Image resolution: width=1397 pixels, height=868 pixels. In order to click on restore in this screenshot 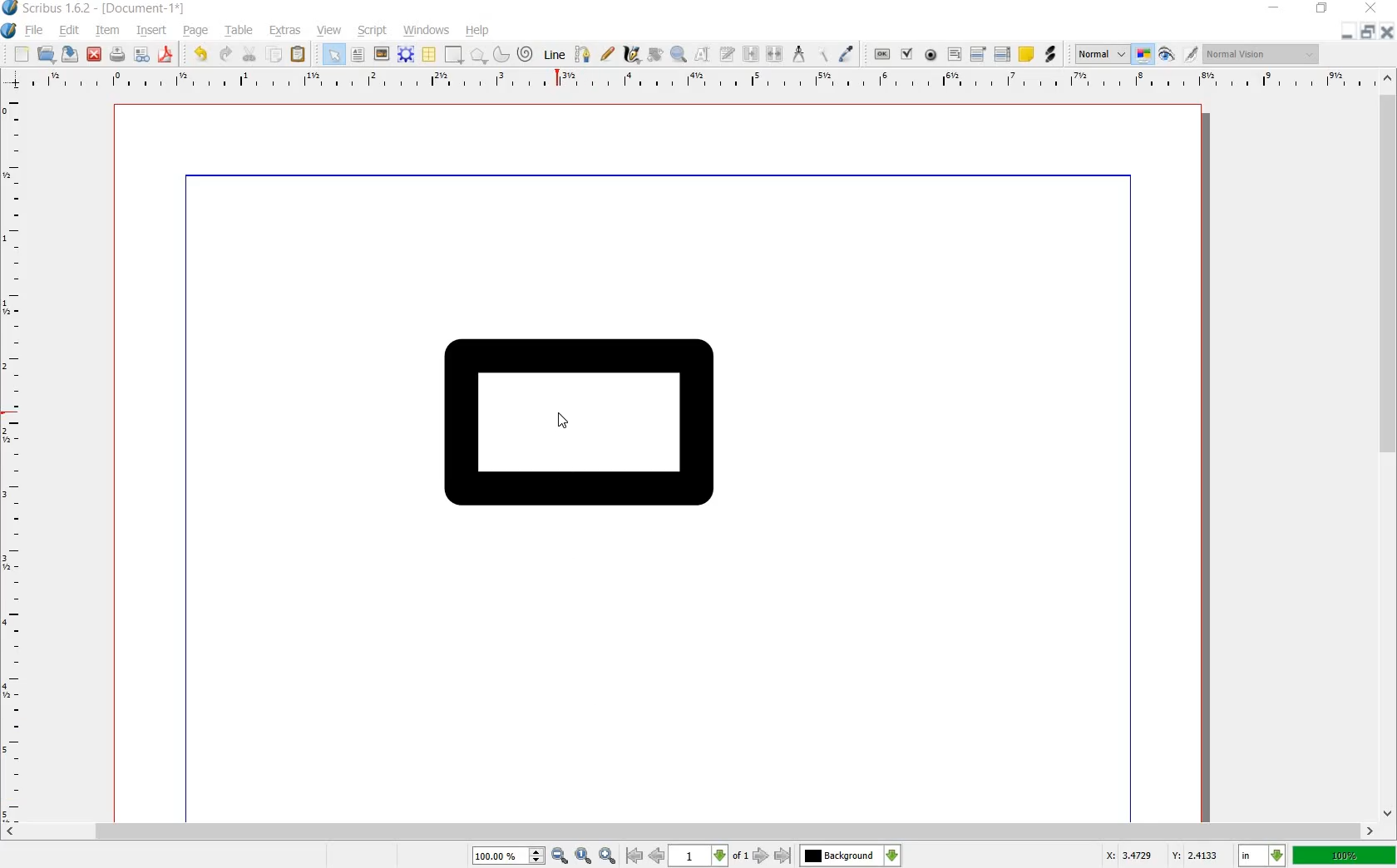, I will do `click(1322, 8)`.